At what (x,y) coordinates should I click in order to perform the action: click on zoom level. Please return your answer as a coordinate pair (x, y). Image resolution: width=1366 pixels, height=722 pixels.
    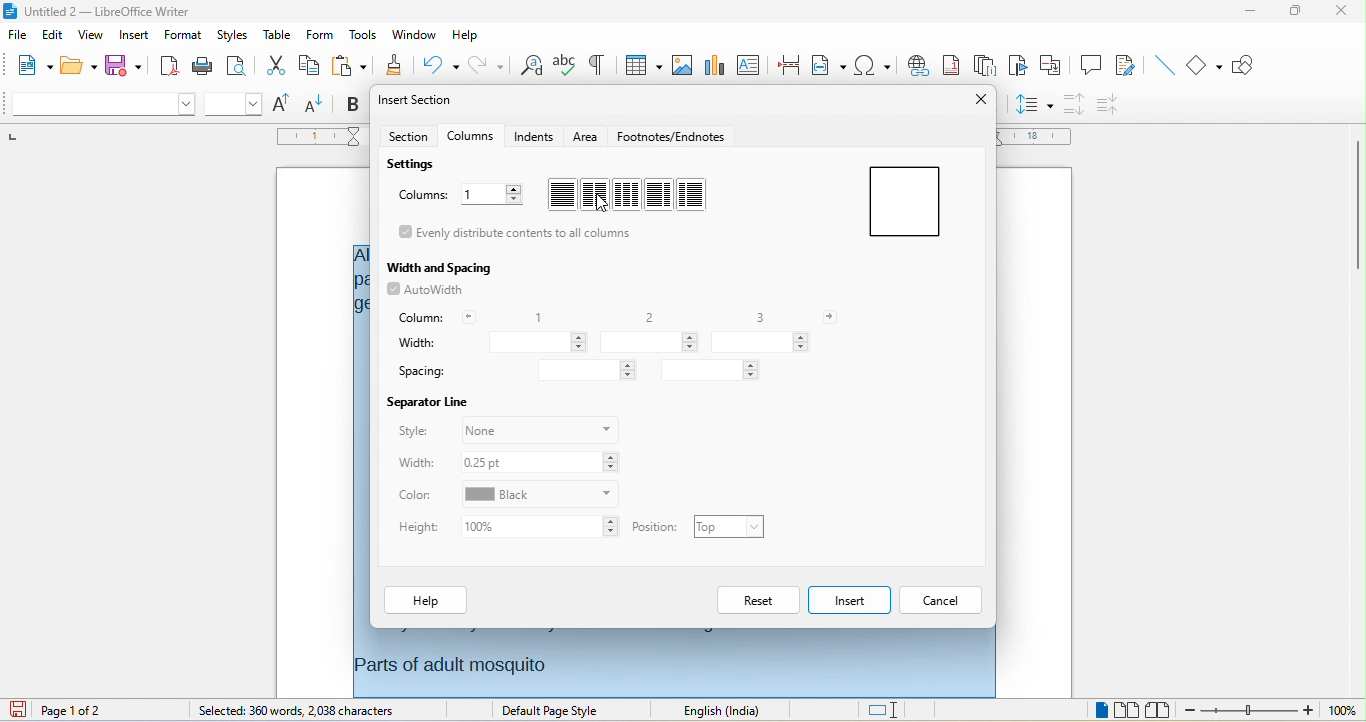
    Looking at the image, I should click on (1342, 711).